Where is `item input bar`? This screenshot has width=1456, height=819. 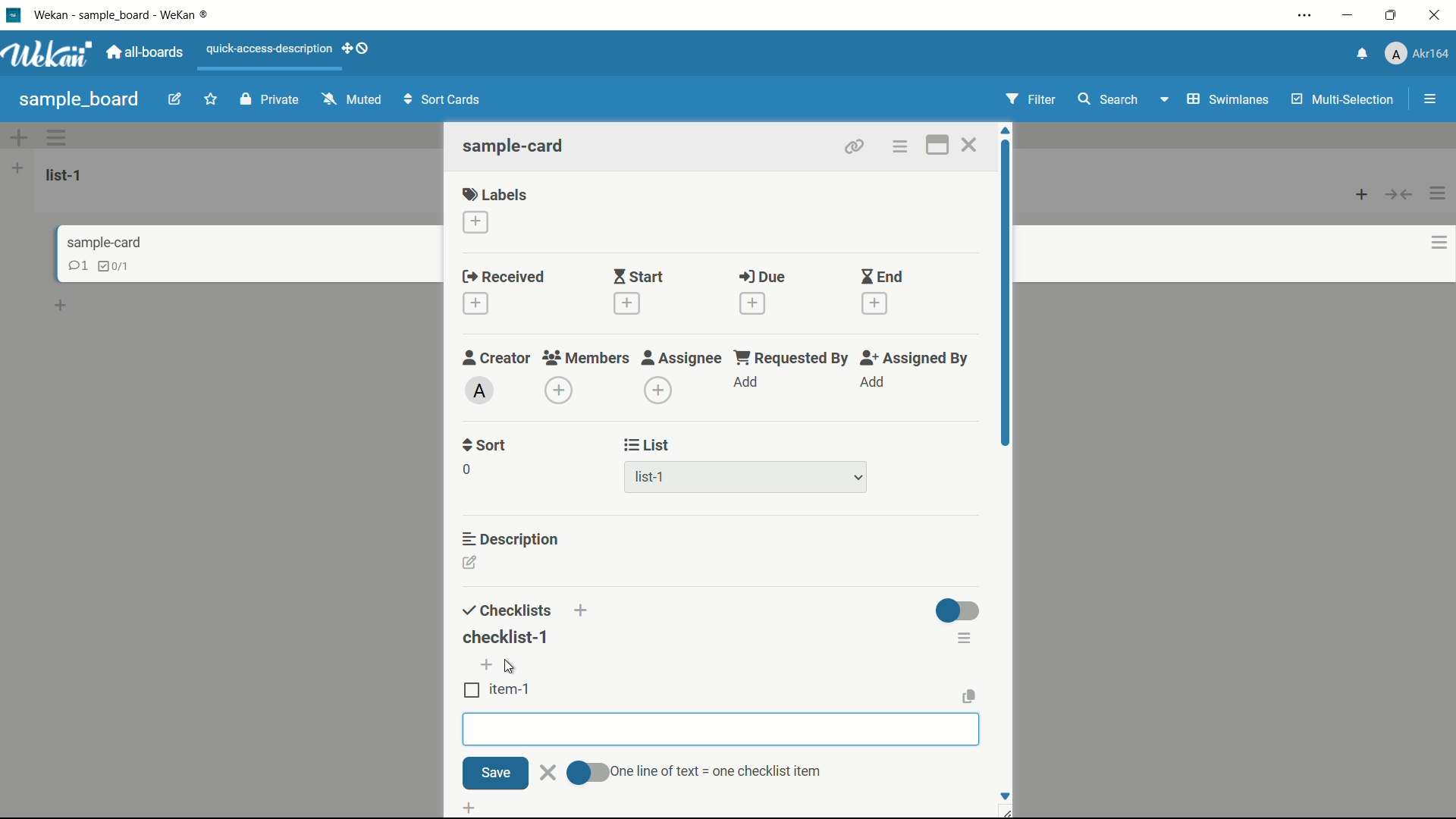 item input bar is located at coordinates (720, 730).